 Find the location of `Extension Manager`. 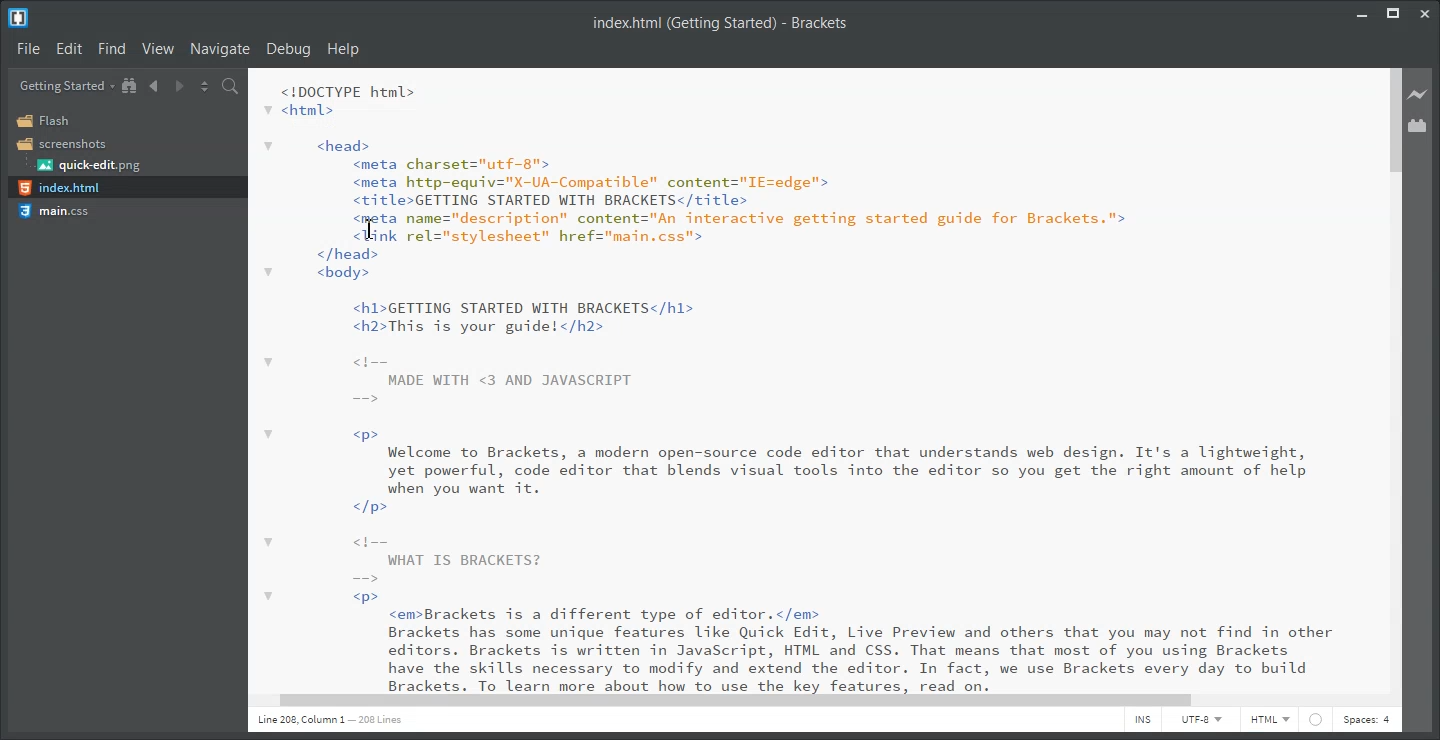

Extension Manager is located at coordinates (1419, 126).